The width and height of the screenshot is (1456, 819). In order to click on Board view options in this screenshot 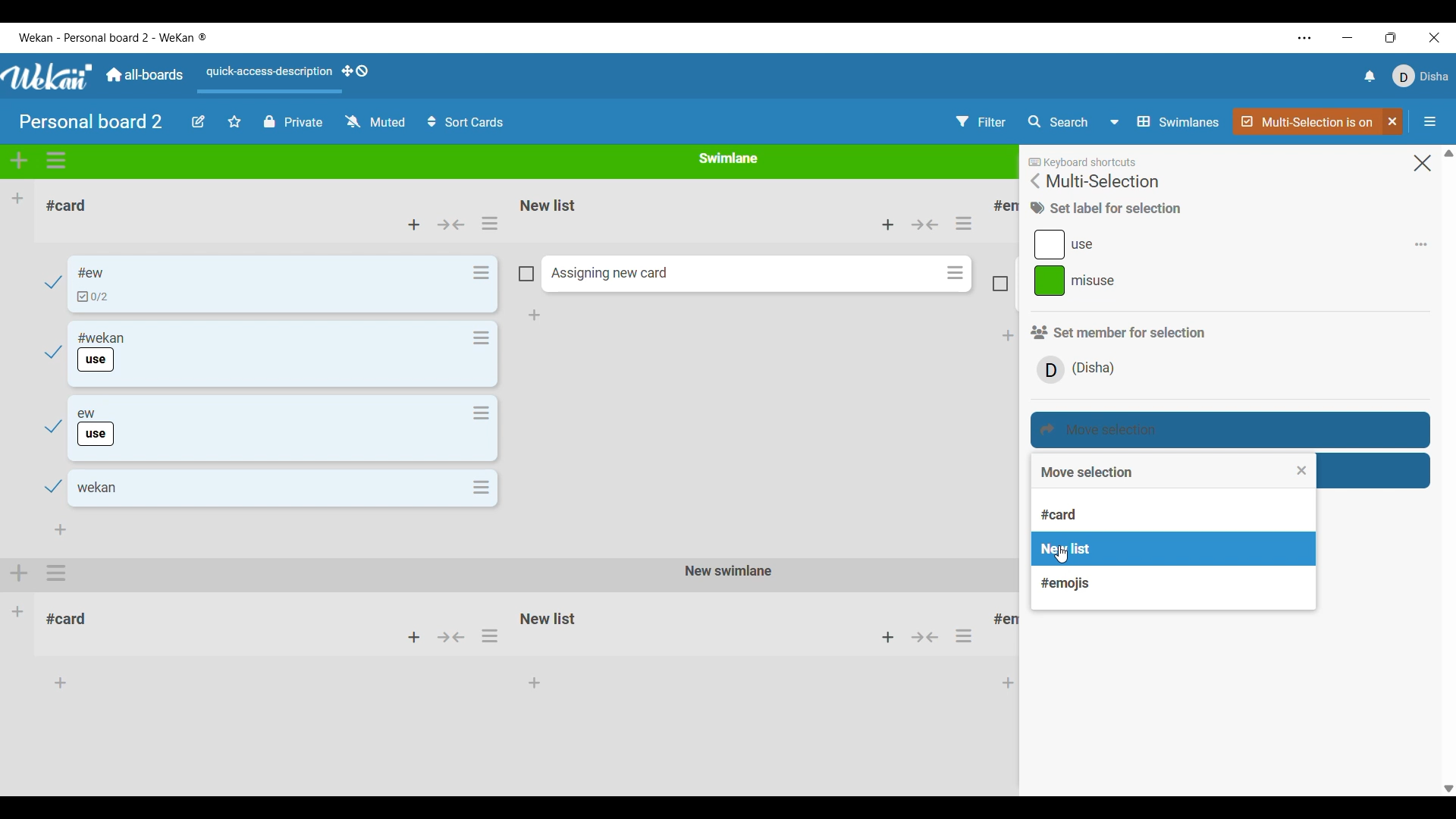, I will do `click(1165, 123)`.